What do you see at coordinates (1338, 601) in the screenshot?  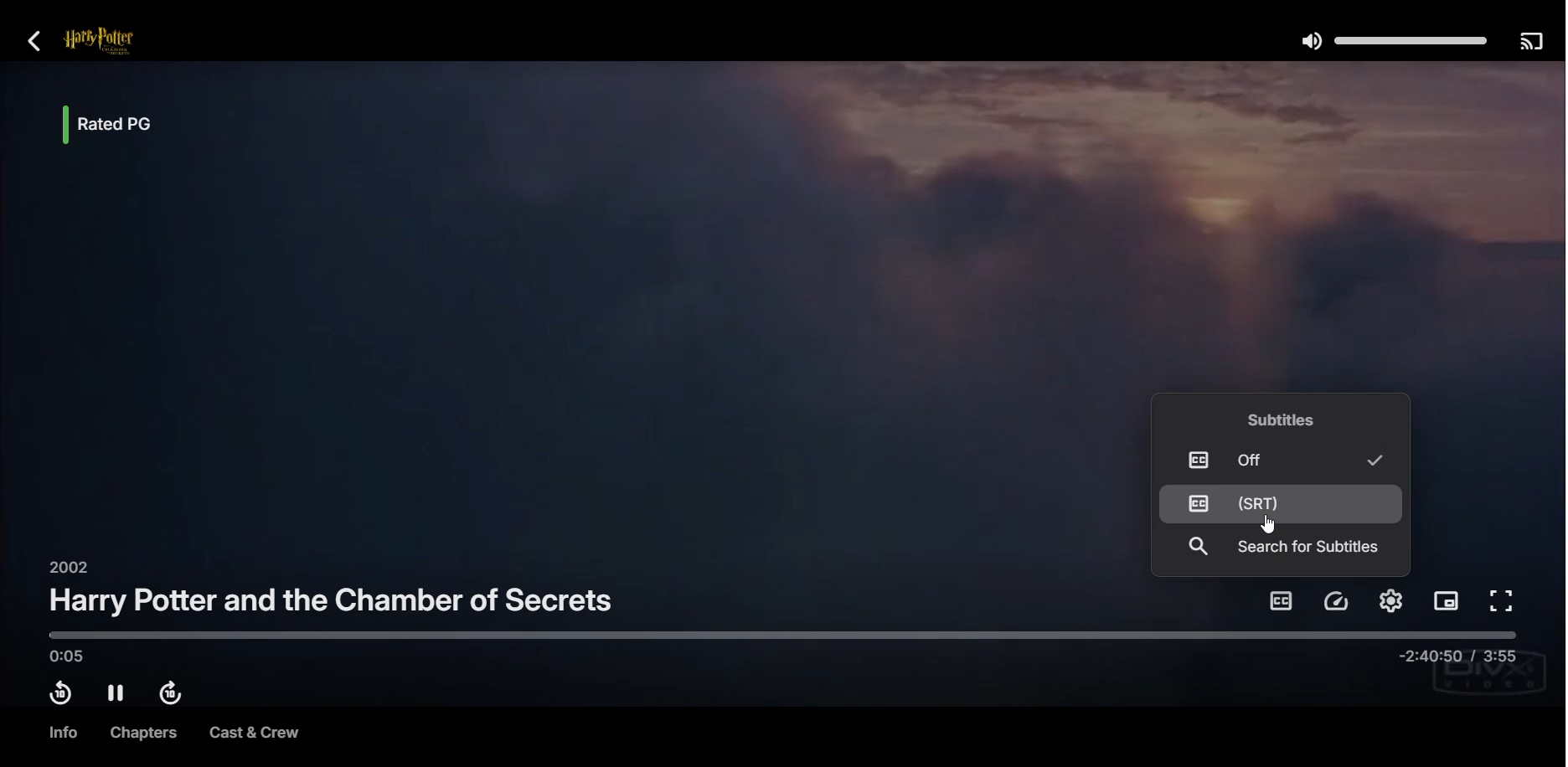 I see `Playback Speed` at bounding box center [1338, 601].